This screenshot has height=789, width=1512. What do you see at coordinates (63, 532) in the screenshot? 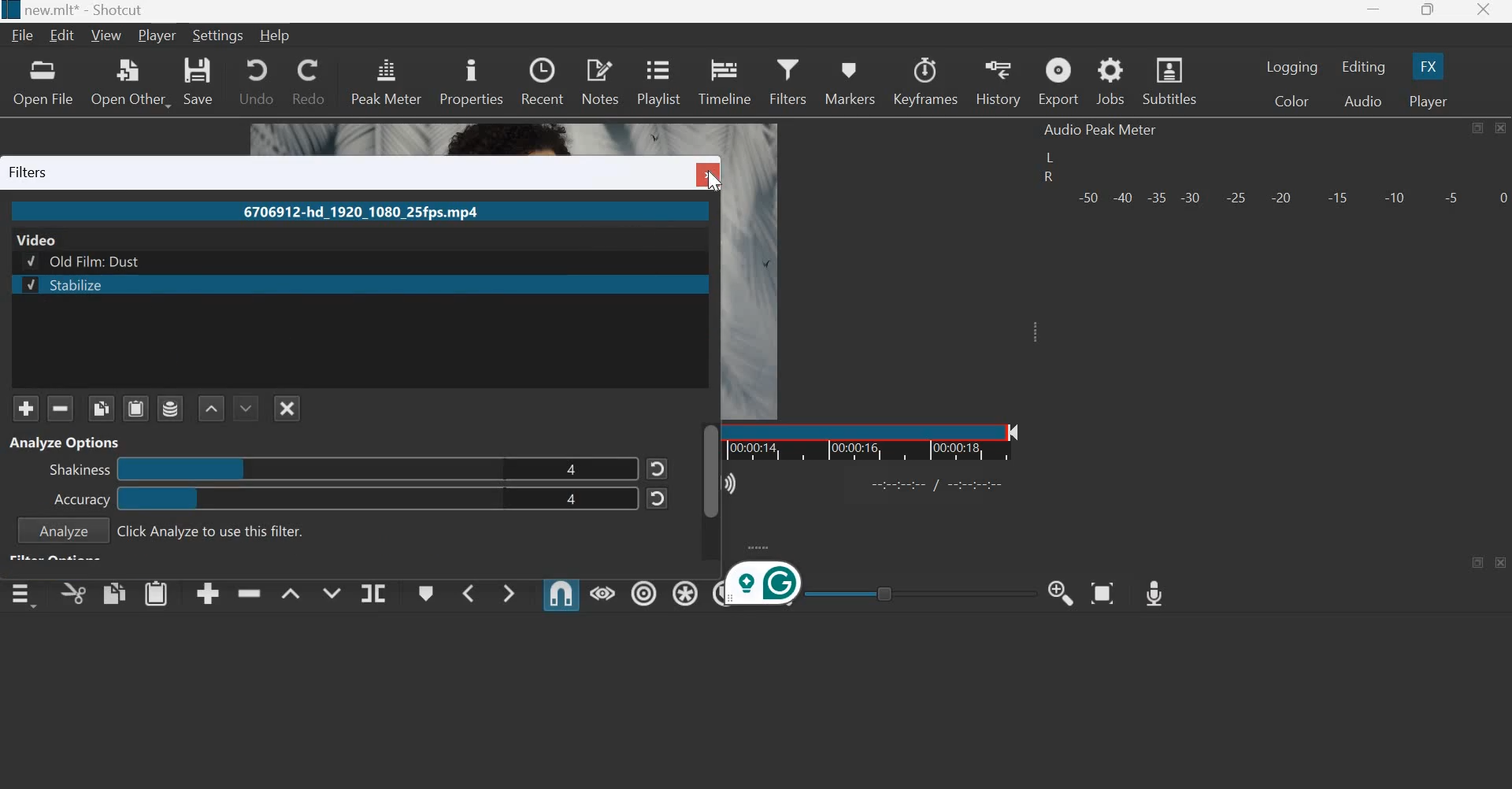
I see `Analyze` at bounding box center [63, 532].